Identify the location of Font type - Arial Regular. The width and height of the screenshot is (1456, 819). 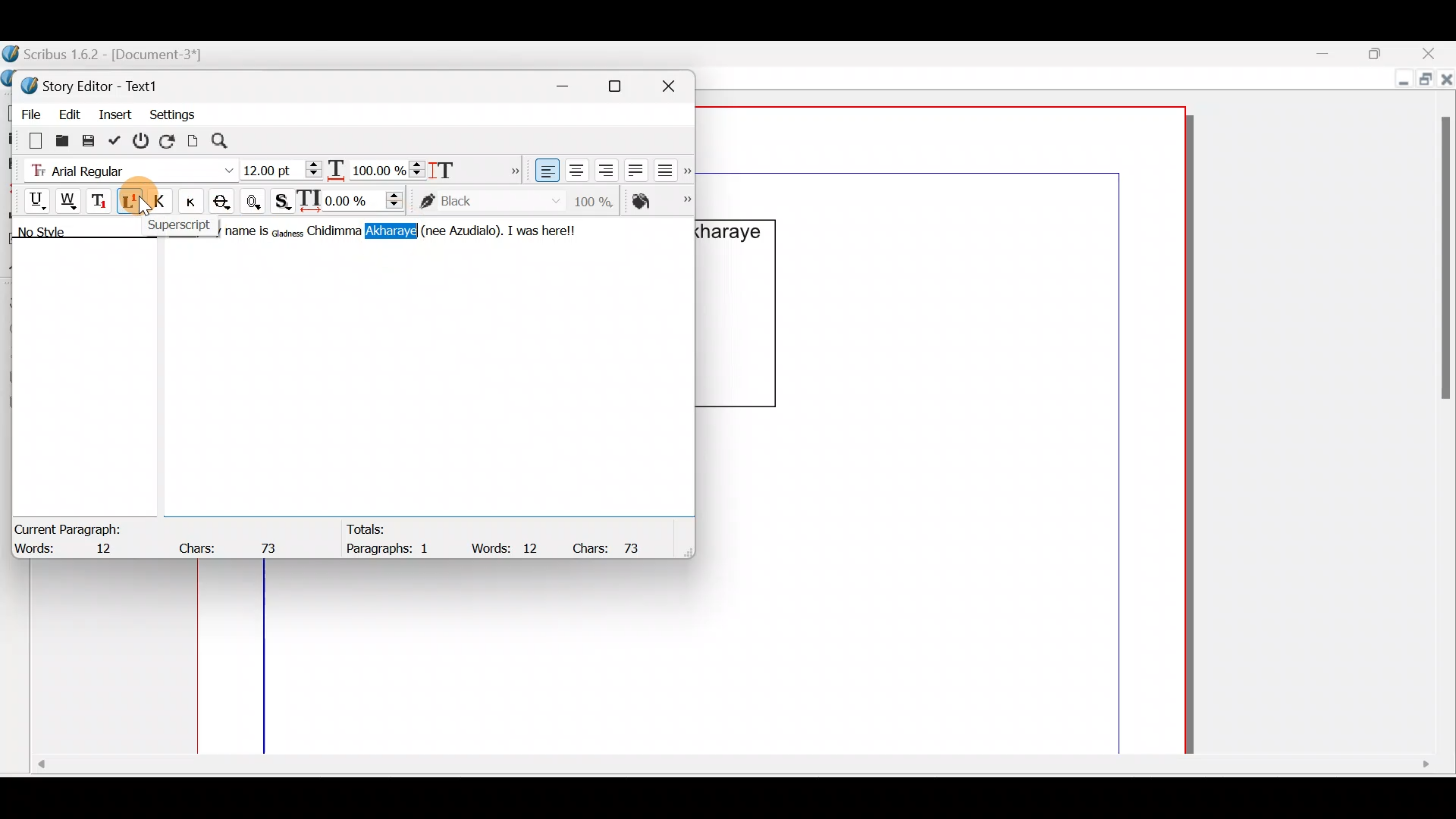
(126, 168).